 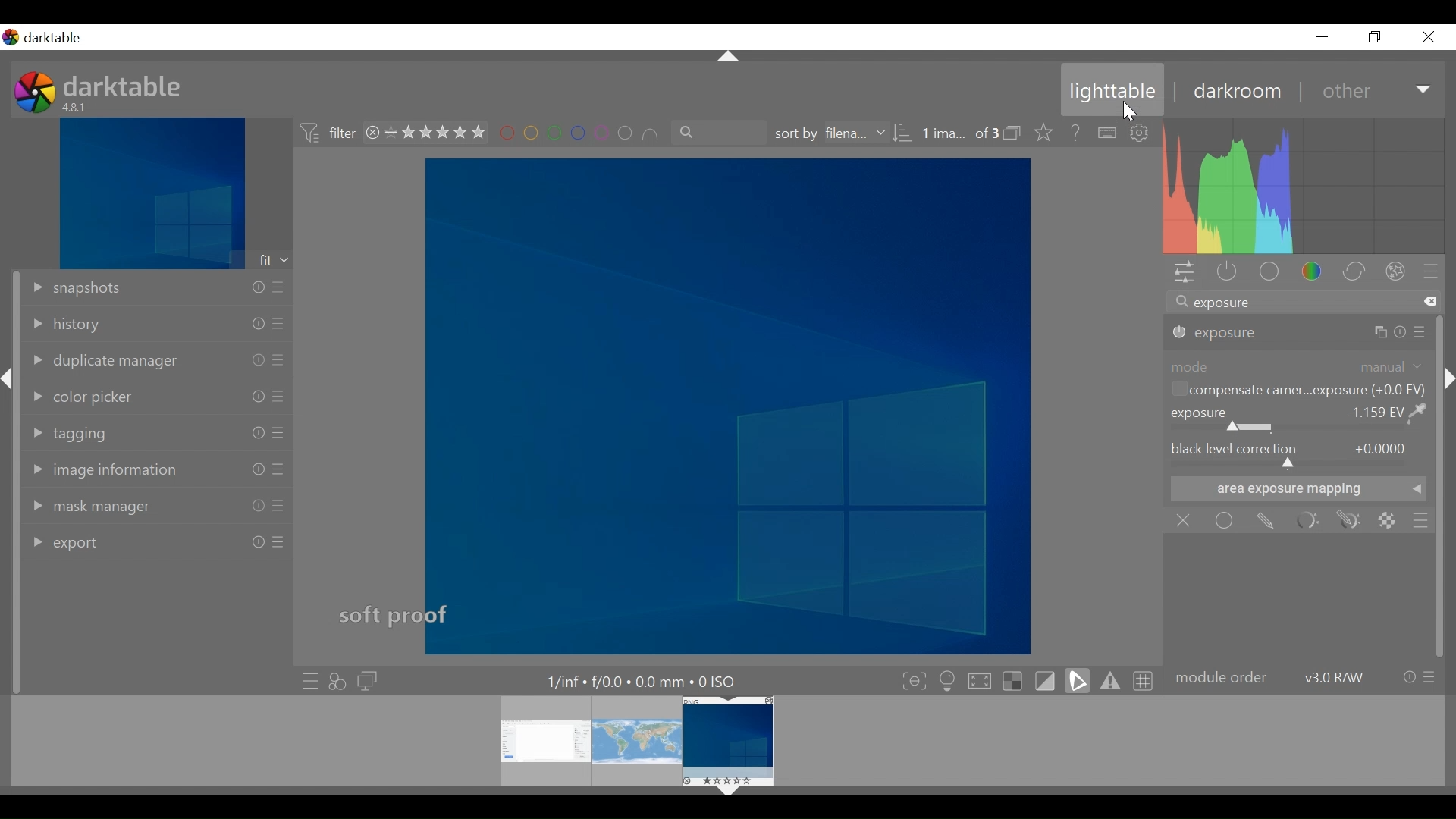 What do you see at coordinates (35, 92) in the screenshot?
I see `logo` at bounding box center [35, 92].